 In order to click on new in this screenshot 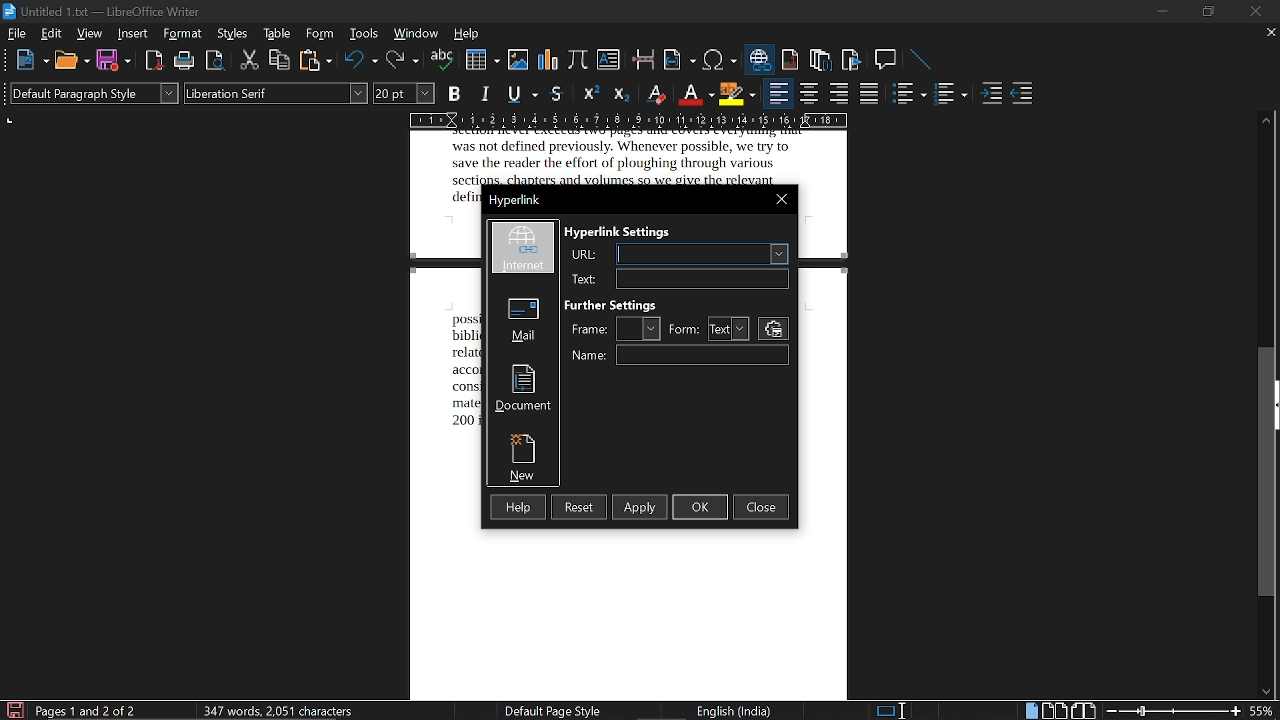, I will do `click(31, 61)`.